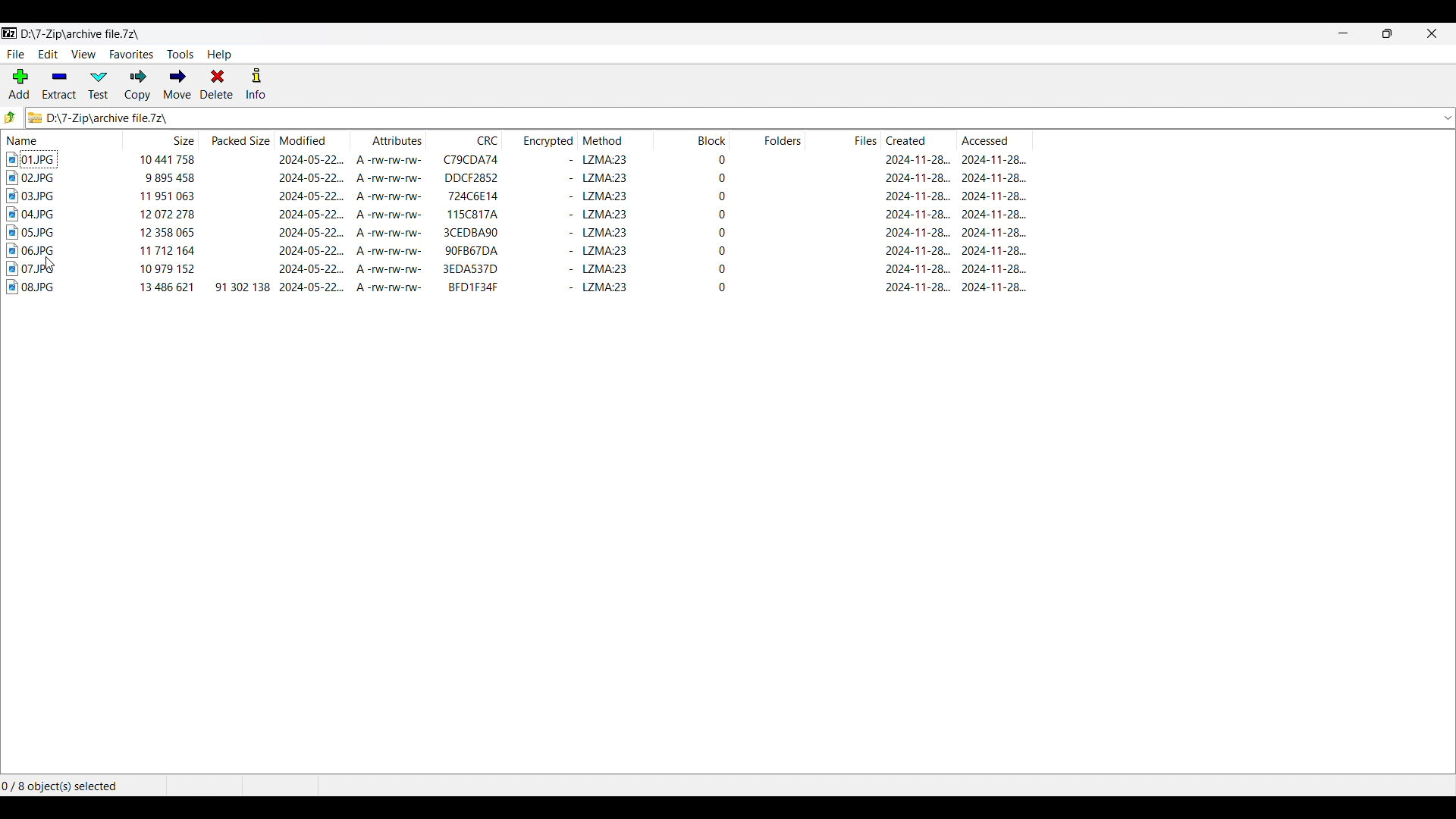  I want to click on block start, so click(717, 178).